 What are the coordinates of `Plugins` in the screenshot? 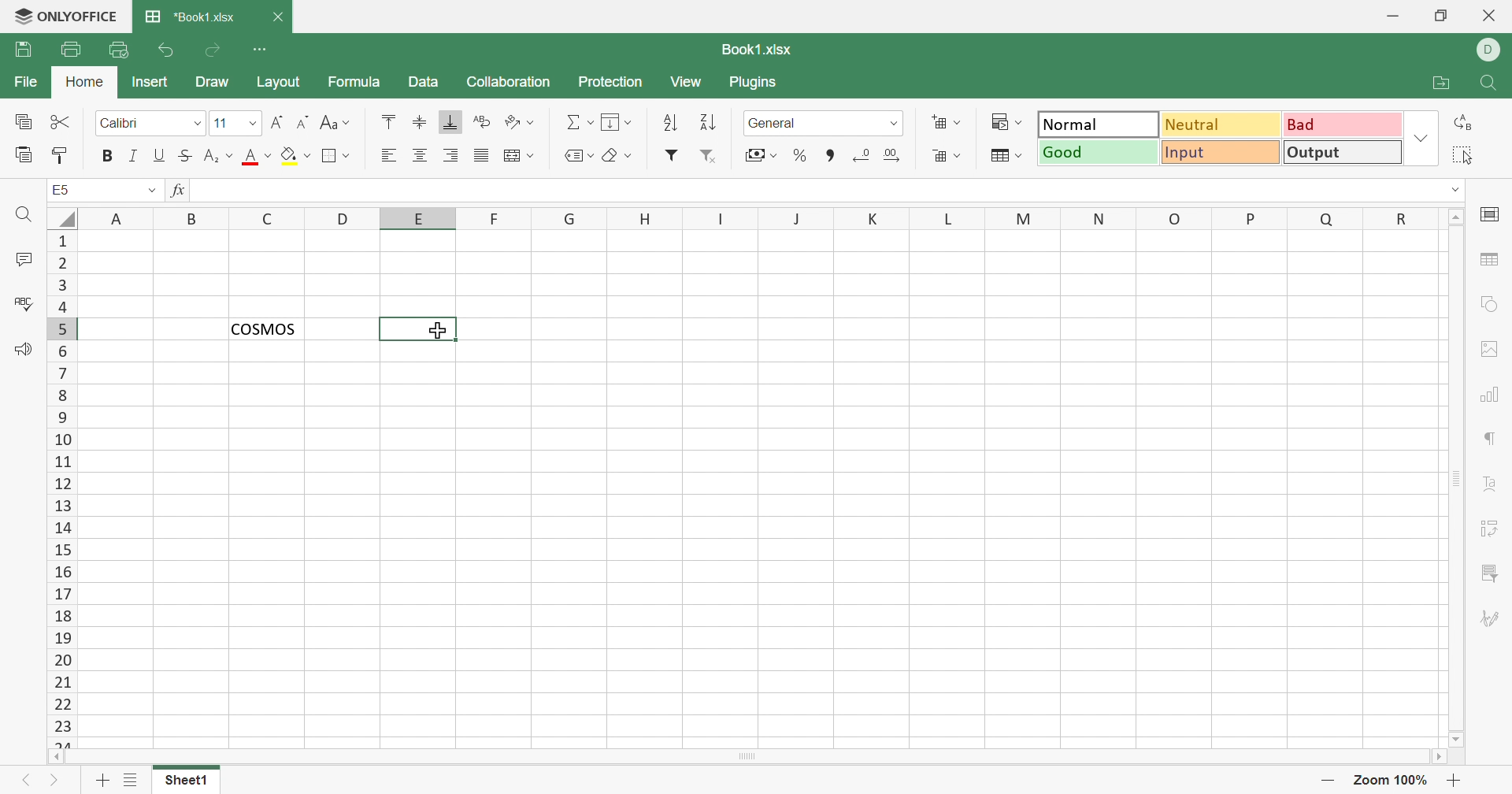 It's located at (754, 82).